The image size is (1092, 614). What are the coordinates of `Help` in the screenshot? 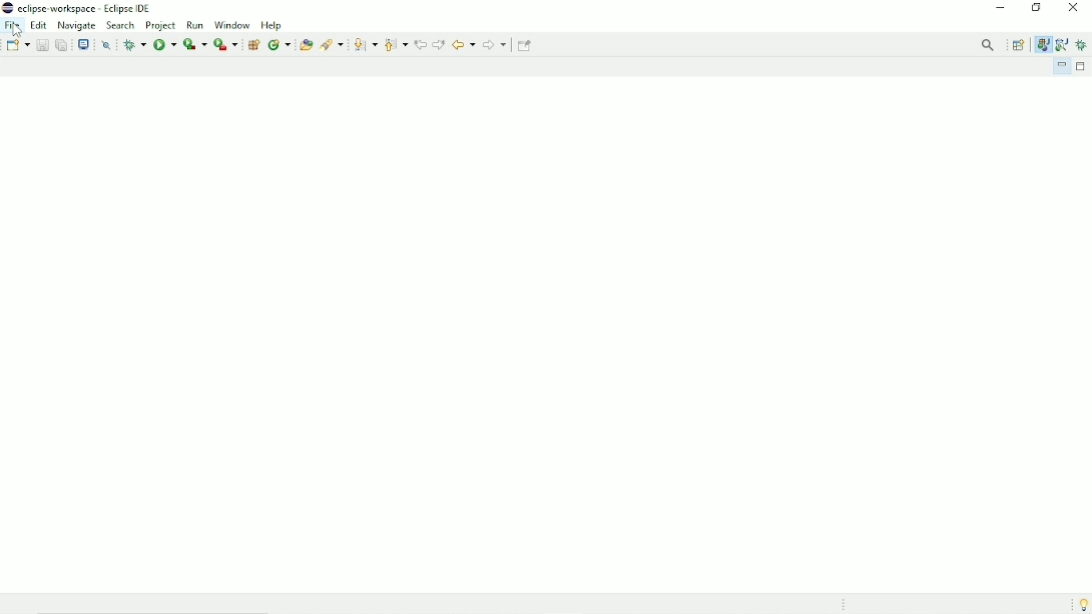 It's located at (273, 25).